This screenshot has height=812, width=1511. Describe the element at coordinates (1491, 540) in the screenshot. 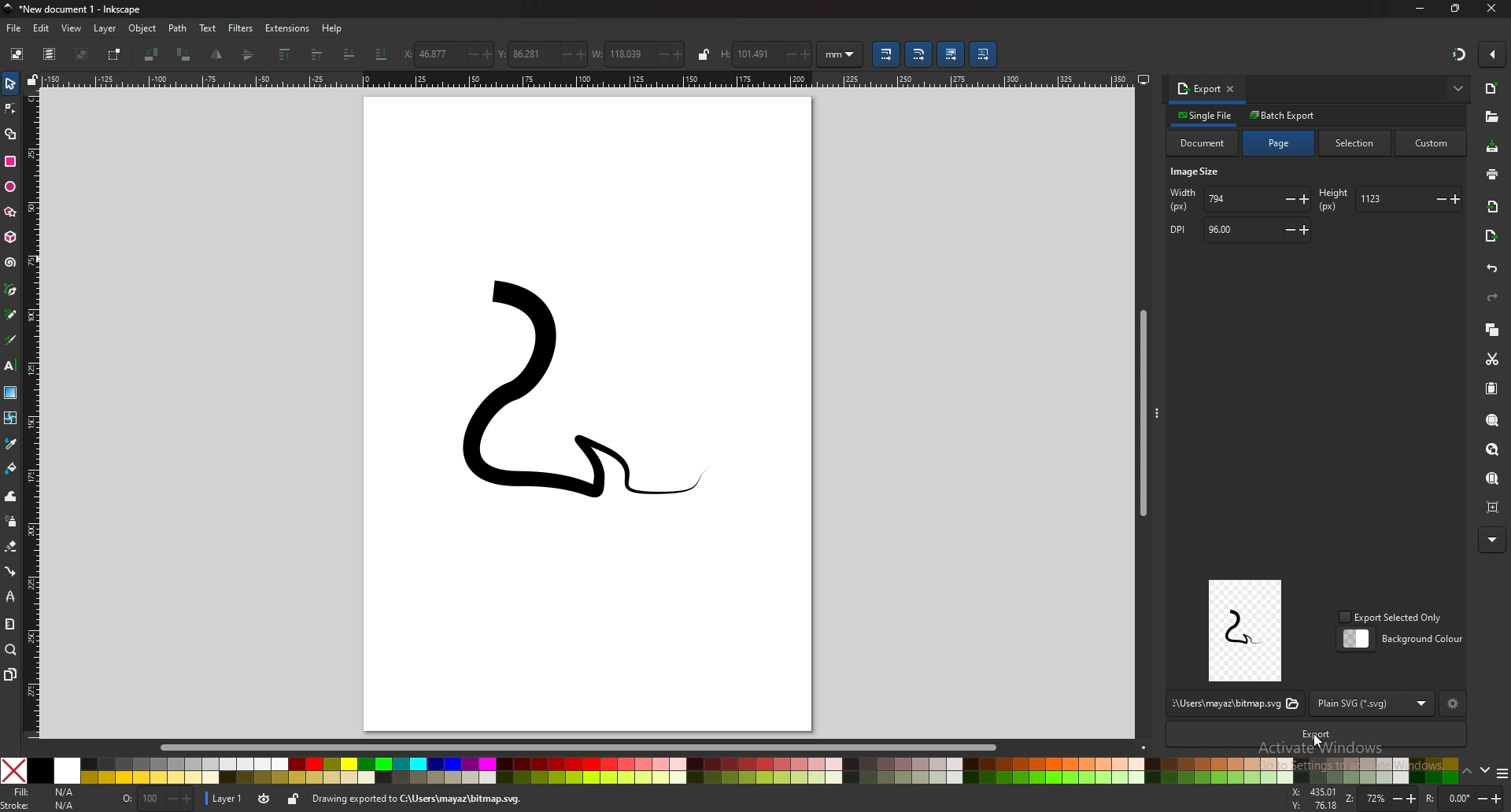

I see `more` at that location.